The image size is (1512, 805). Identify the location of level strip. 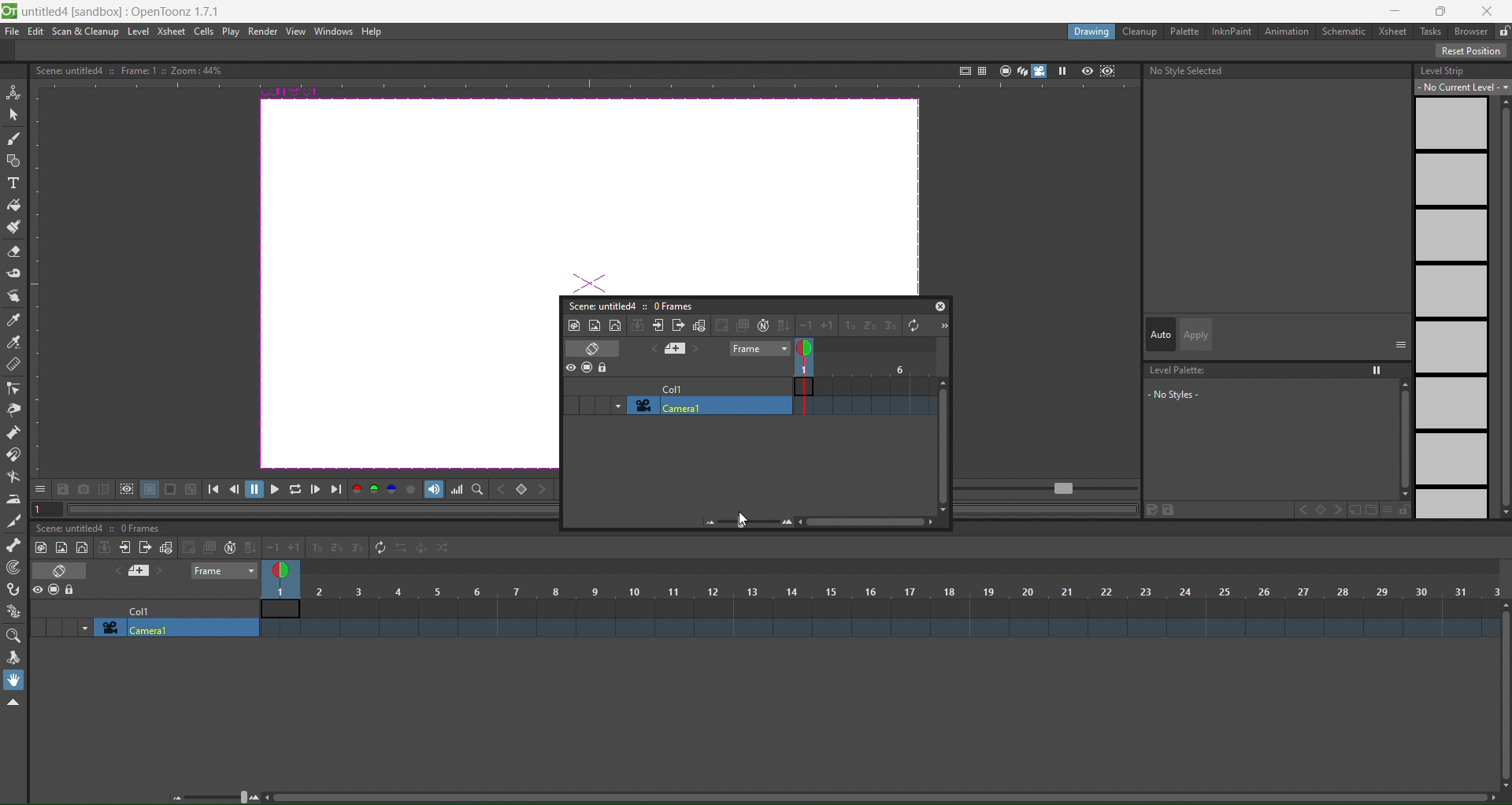
(1459, 288).